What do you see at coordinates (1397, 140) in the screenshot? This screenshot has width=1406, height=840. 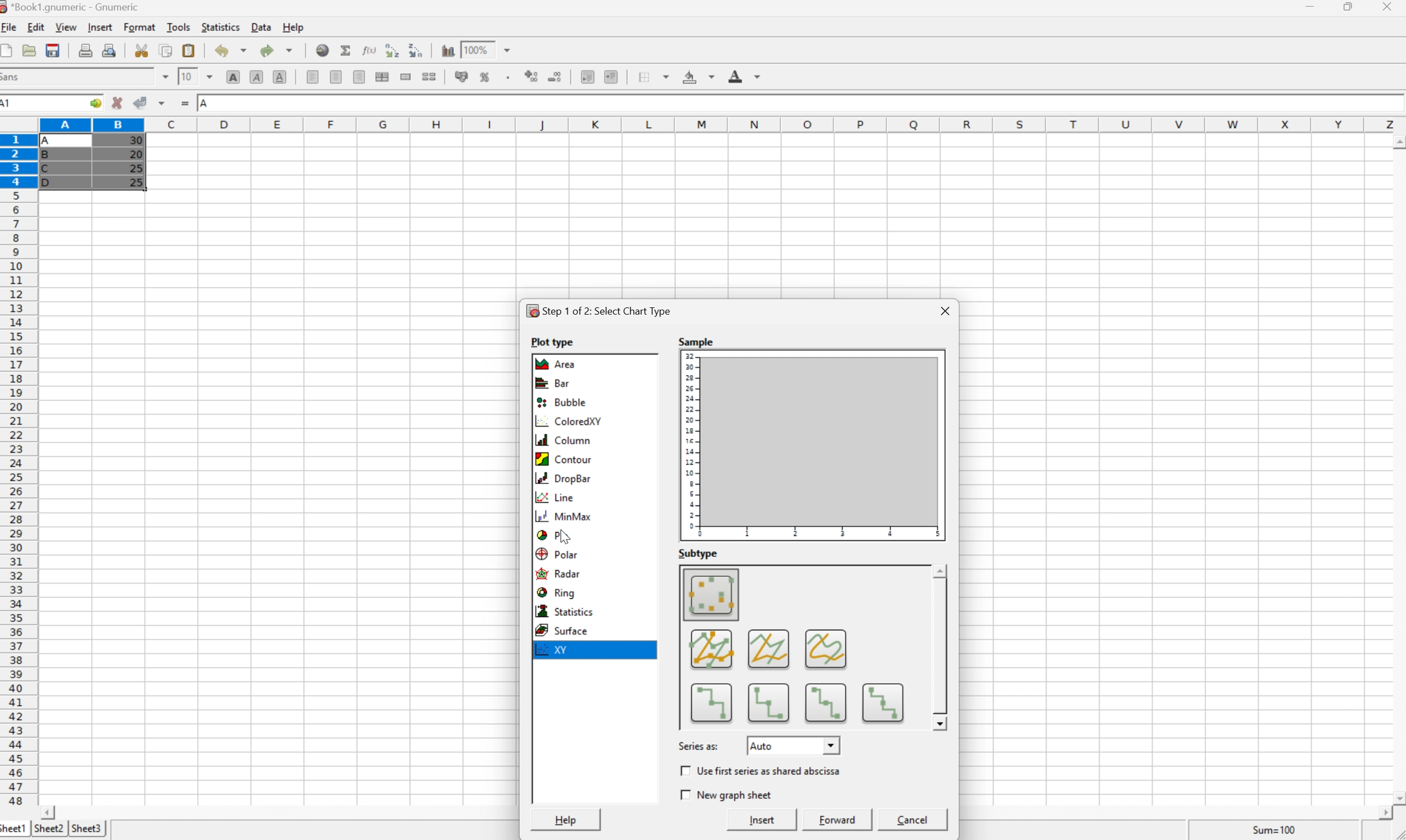 I see `Scroll Up` at bounding box center [1397, 140].